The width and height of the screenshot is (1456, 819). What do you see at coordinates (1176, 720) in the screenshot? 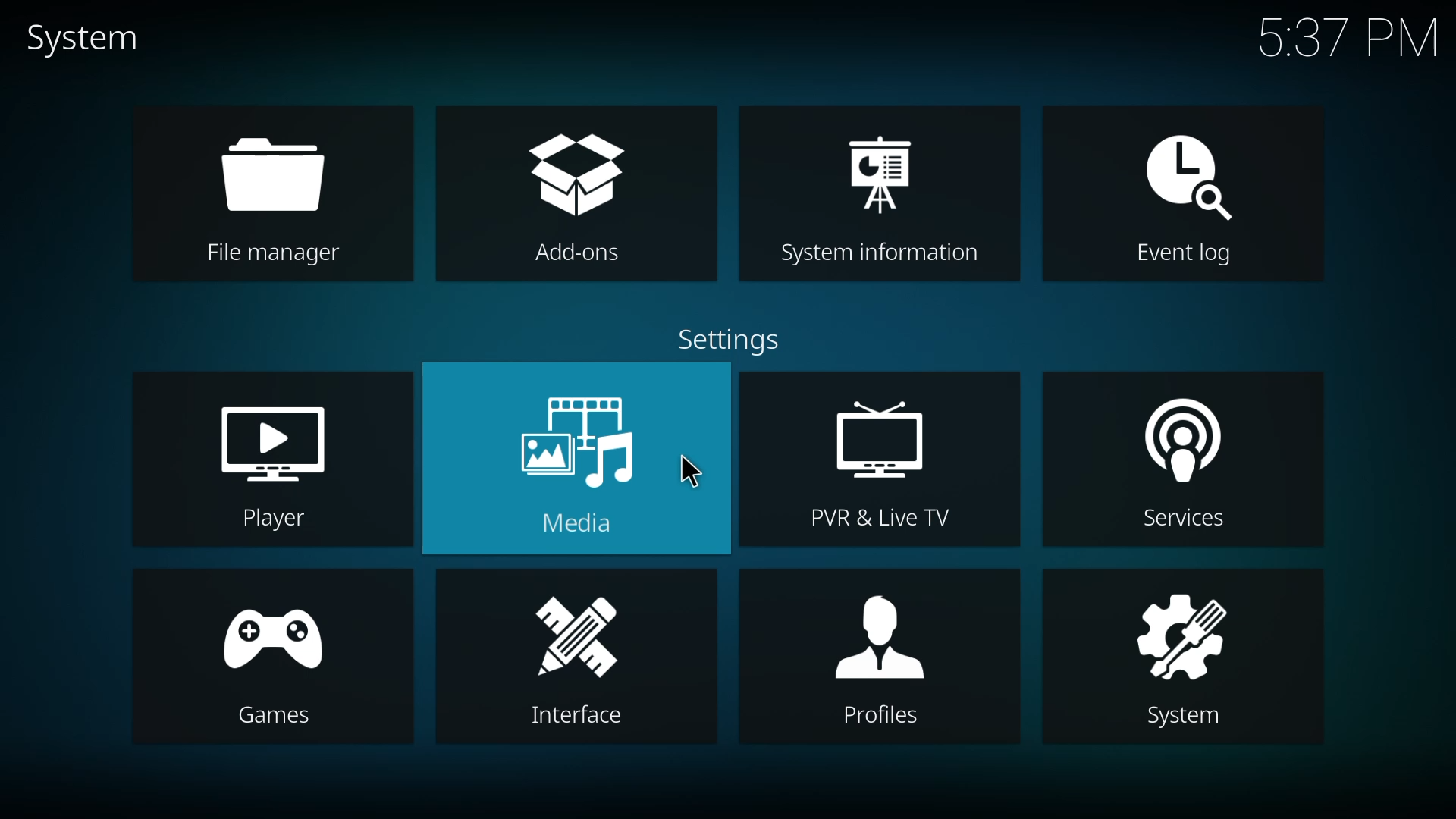
I see `System` at bounding box center [1176, 720].